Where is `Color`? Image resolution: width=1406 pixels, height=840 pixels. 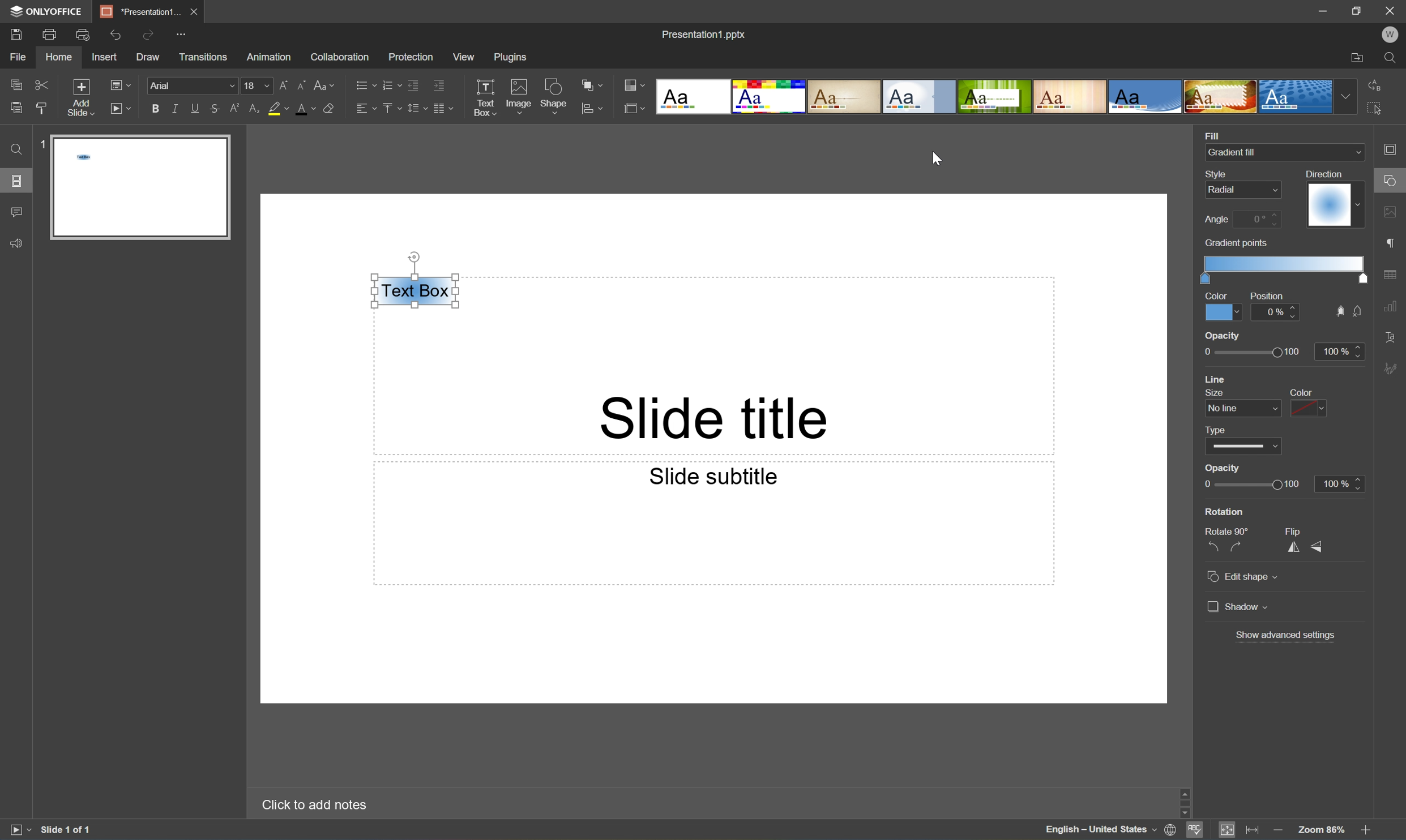
Color is located at coordinates (1220, 312).